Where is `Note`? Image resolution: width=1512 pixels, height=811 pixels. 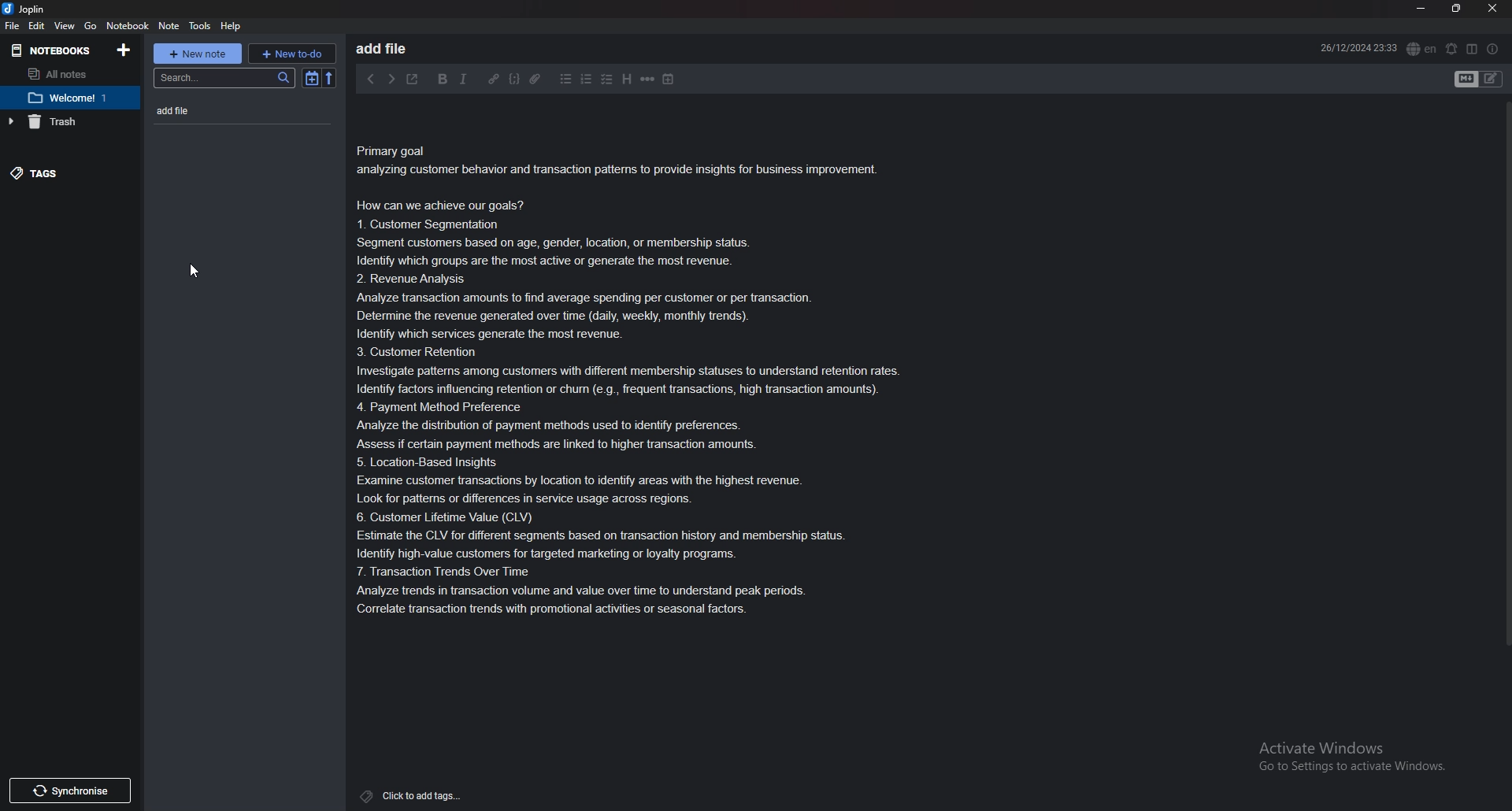 Note is located at coordinates (639, 381).